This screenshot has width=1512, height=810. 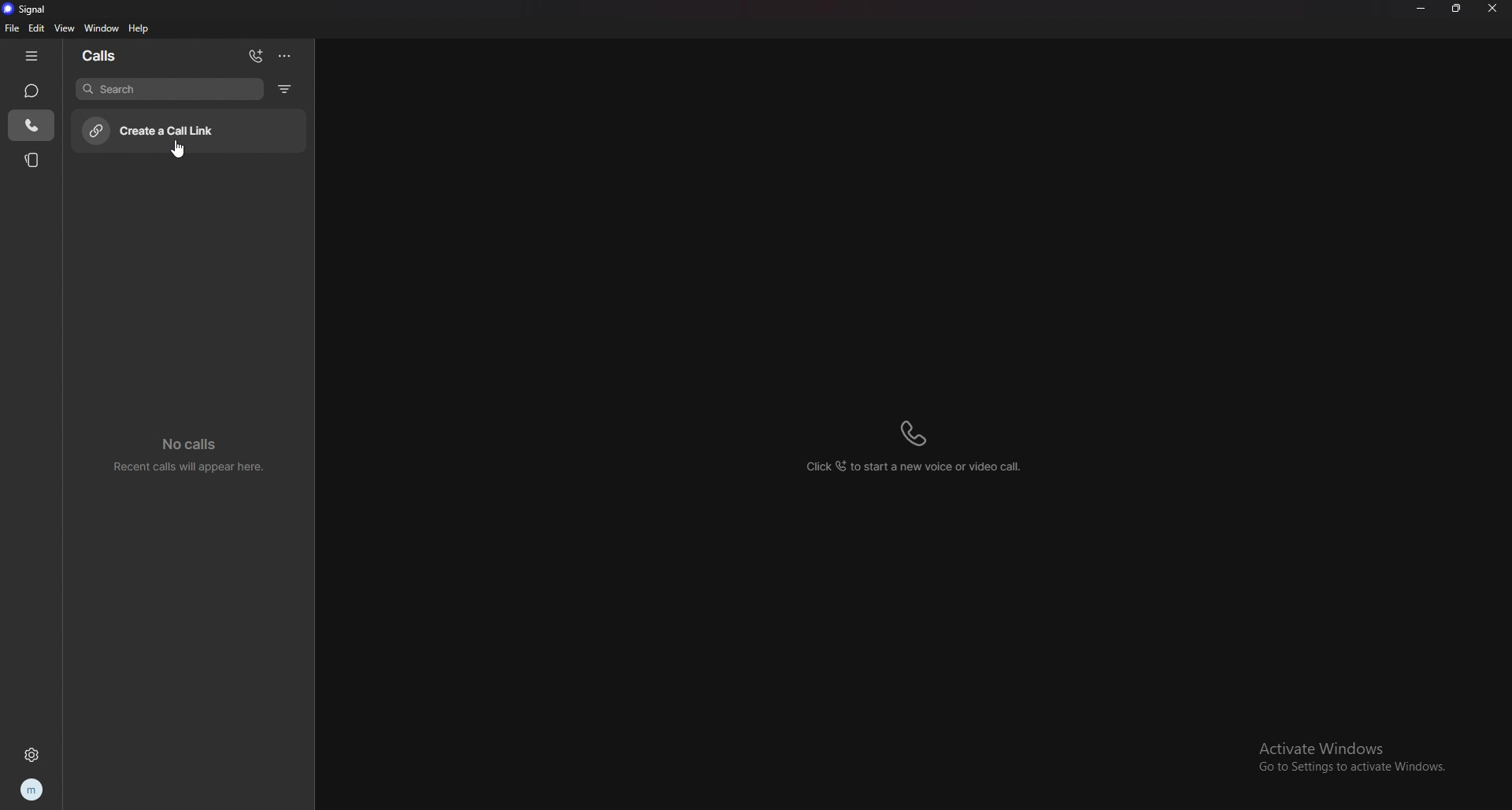 What do you see at coordinates (105, 54) in the screenshot?
I see `calls` at bounding box center [105, 54].